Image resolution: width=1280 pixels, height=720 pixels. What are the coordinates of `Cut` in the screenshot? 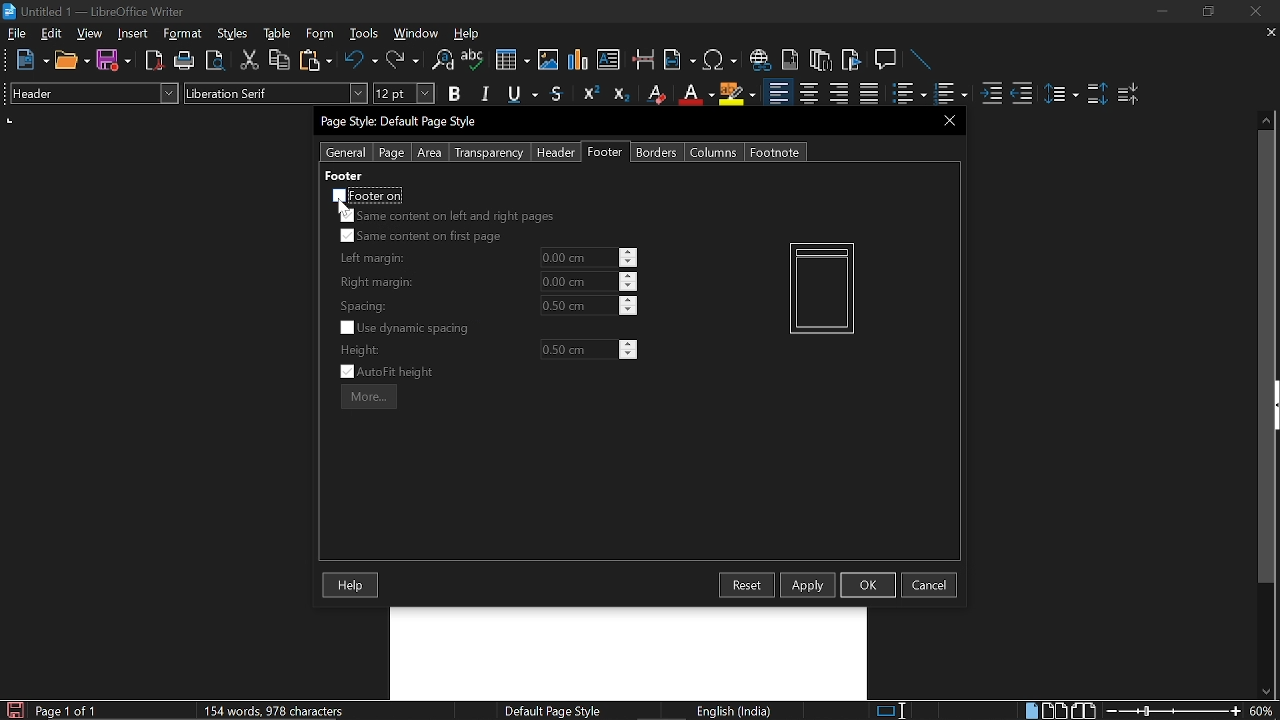 It's located at (250, 60).